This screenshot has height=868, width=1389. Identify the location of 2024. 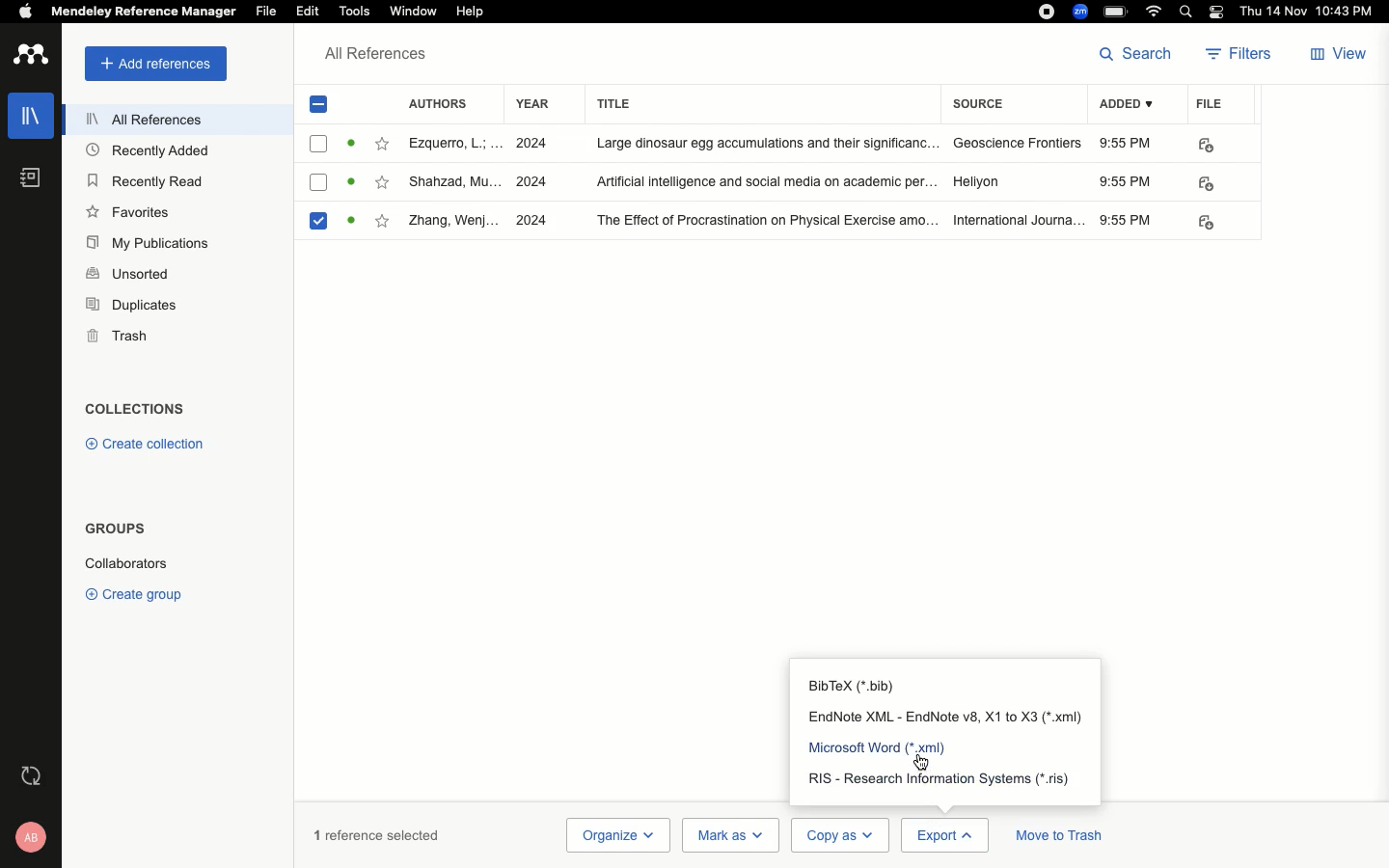
(531, 182).